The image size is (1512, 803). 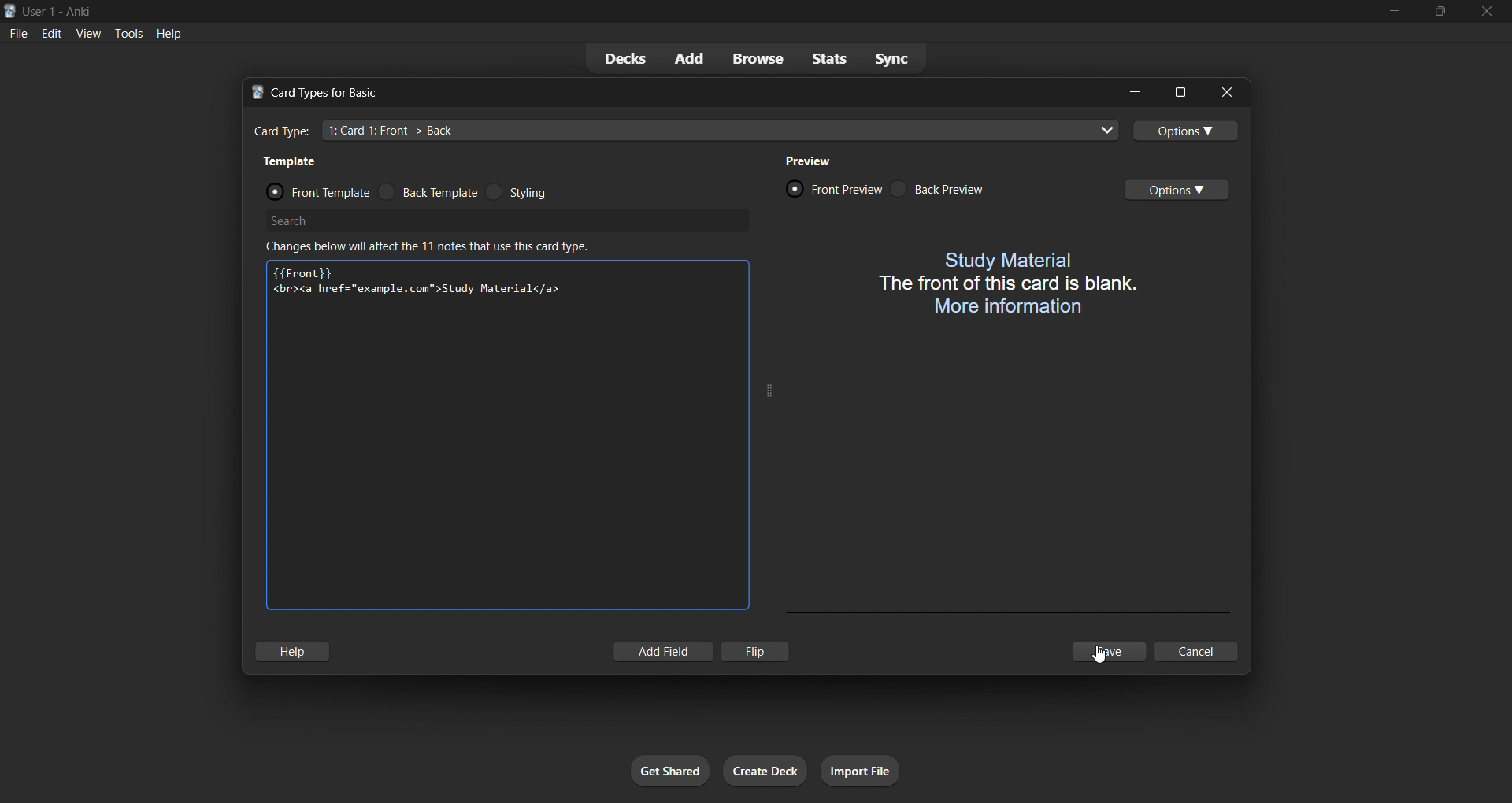 What do you see at coordinates (171, 35) in the screenshot?
I see `help` at bounding box center [171, 35].